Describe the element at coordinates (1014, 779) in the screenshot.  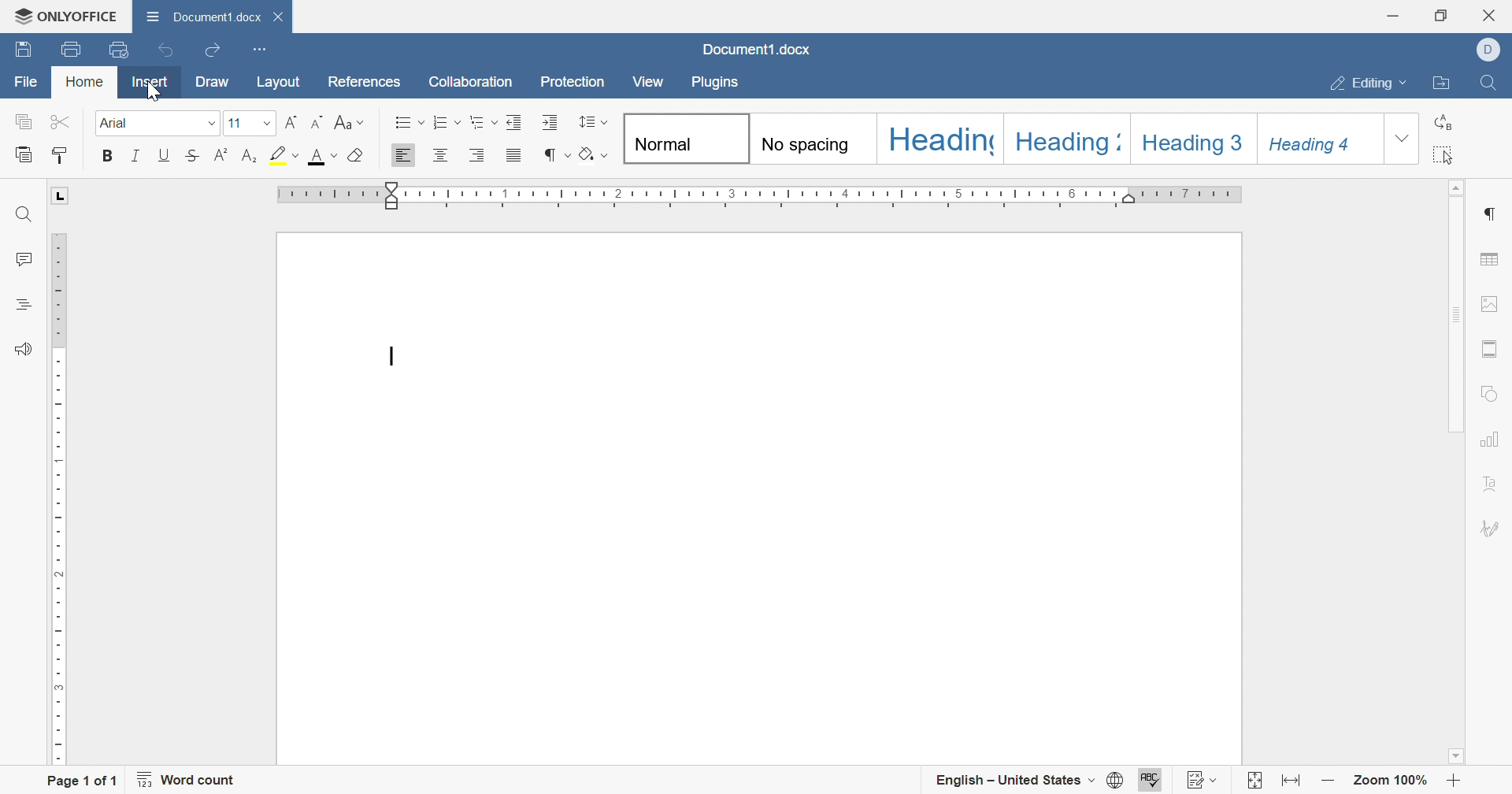
I see `English - United States` at that location.